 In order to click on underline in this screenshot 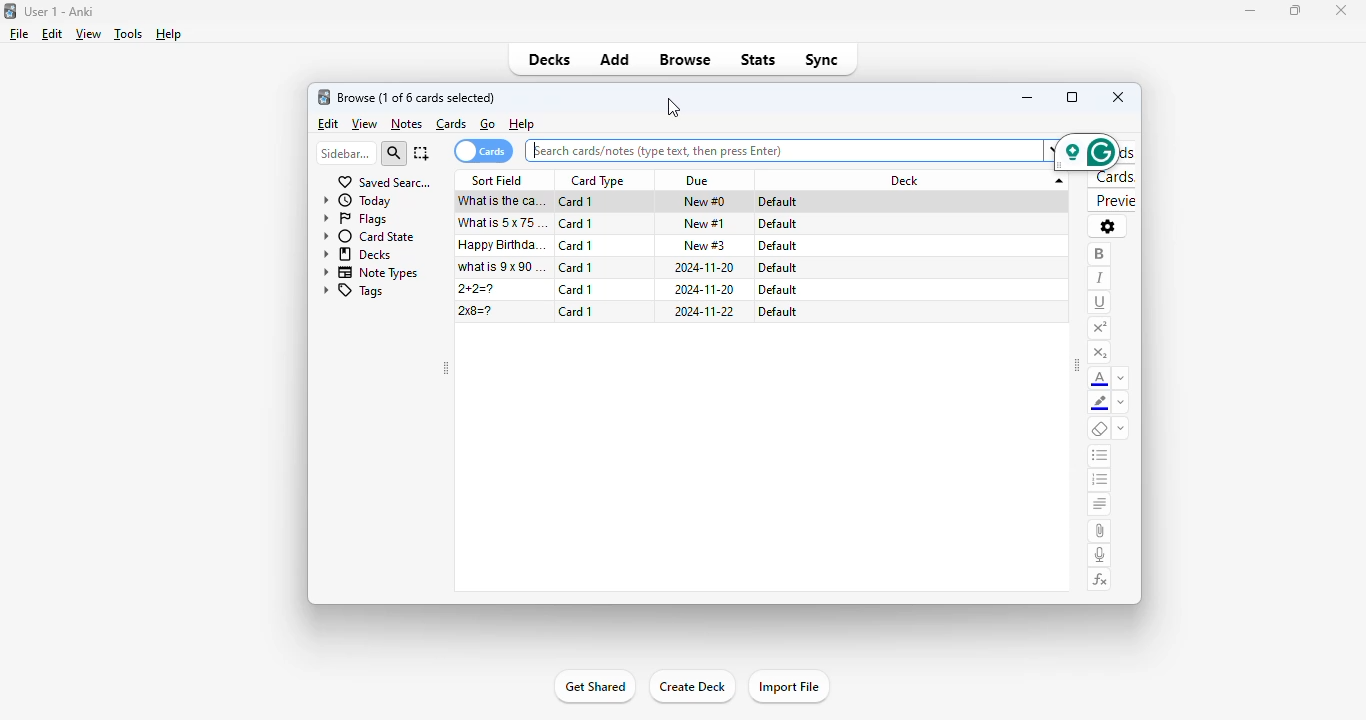, I will do `click(1101, 303)`.